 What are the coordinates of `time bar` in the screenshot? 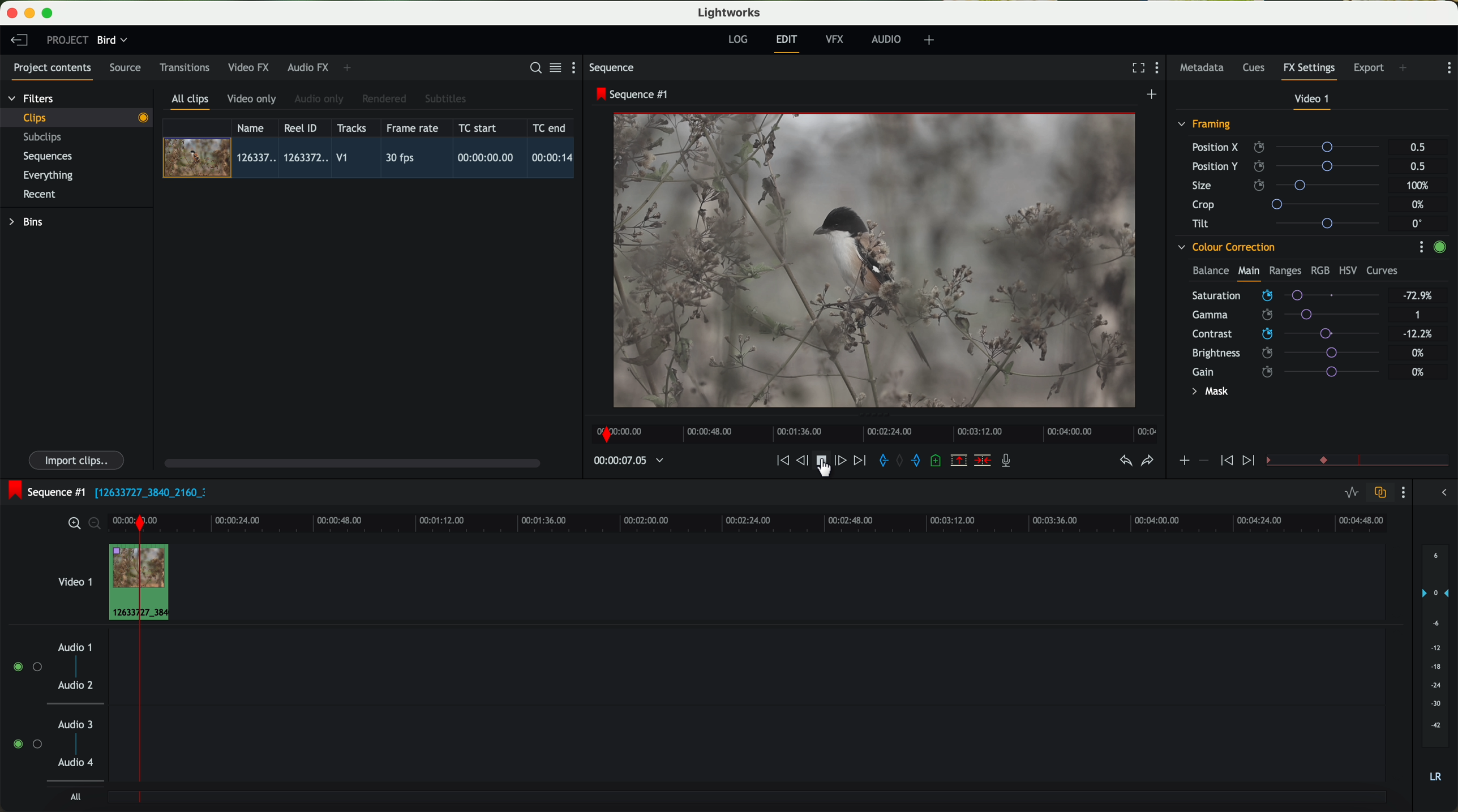 It's located at (139, 661).